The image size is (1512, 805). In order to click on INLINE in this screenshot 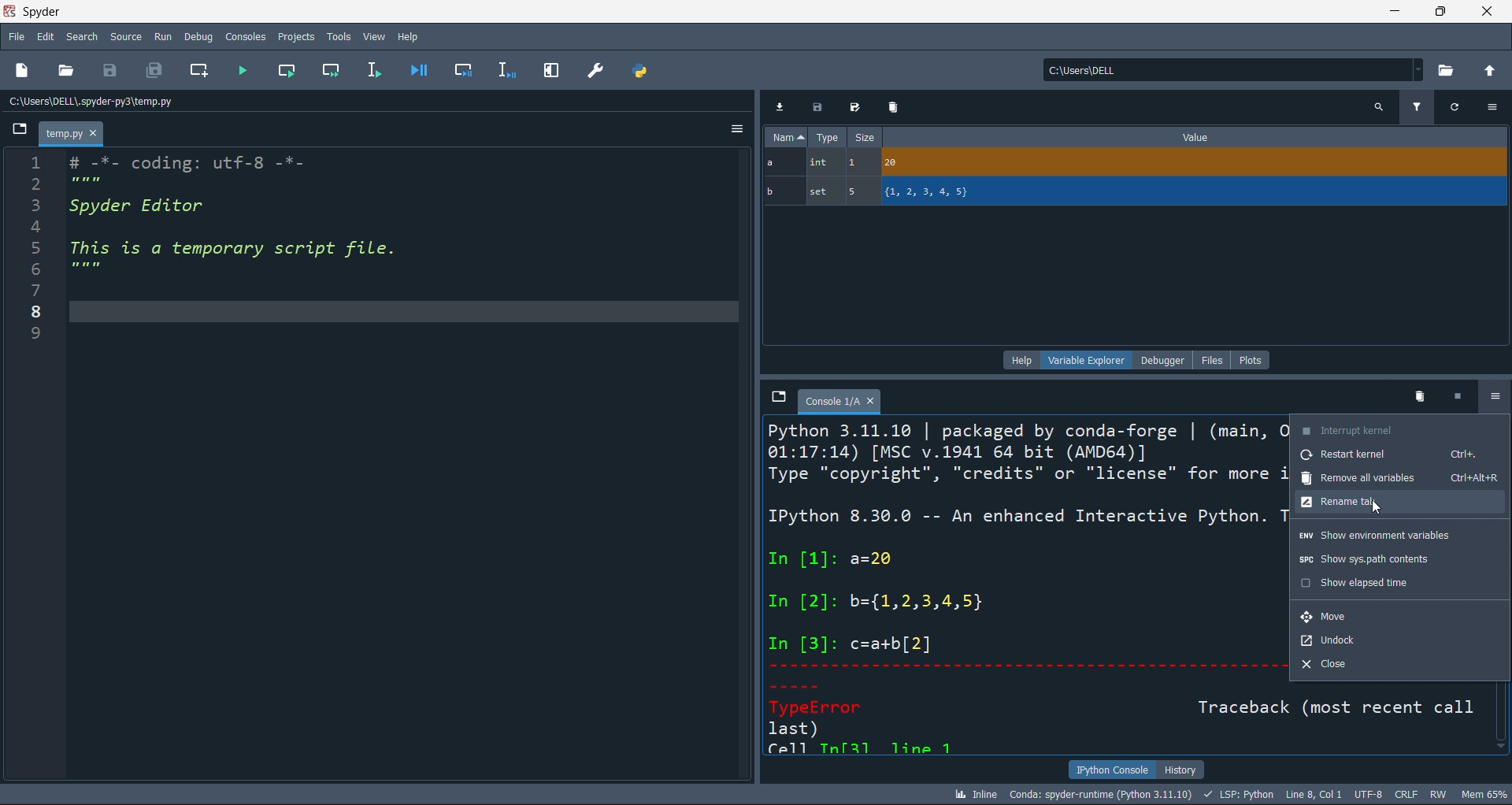, I will do `click(973, 793)`.